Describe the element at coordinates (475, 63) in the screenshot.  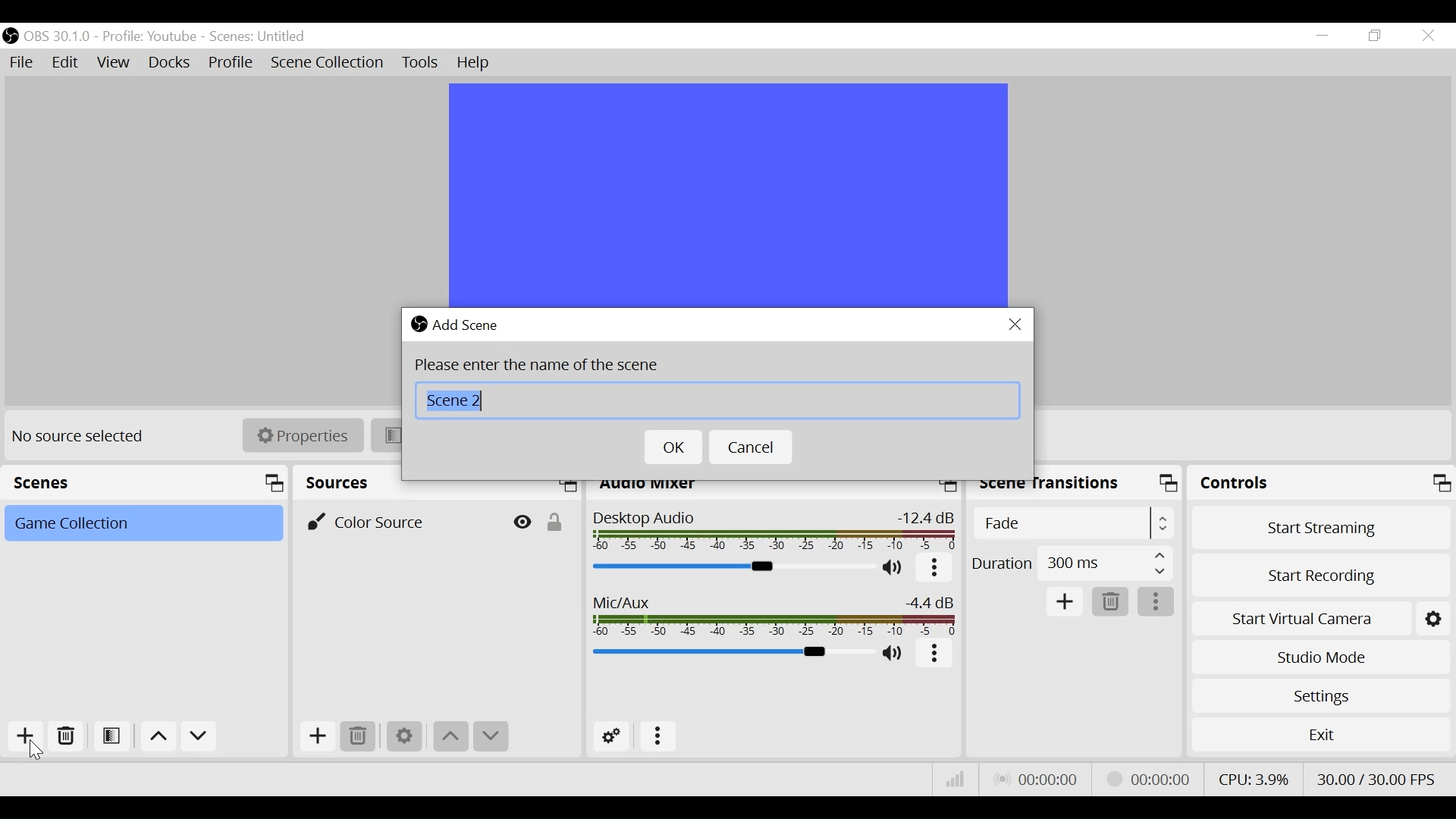
I see `Help` at that location.